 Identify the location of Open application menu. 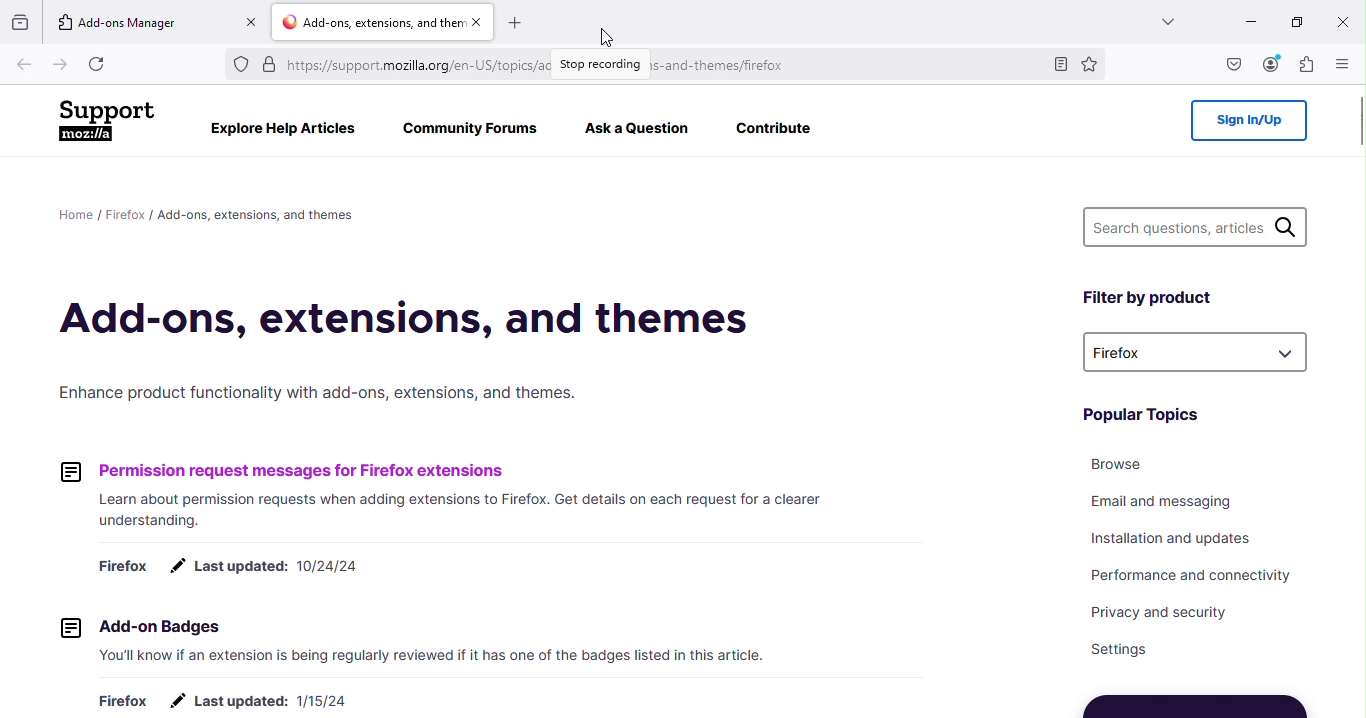
(1341, 62).